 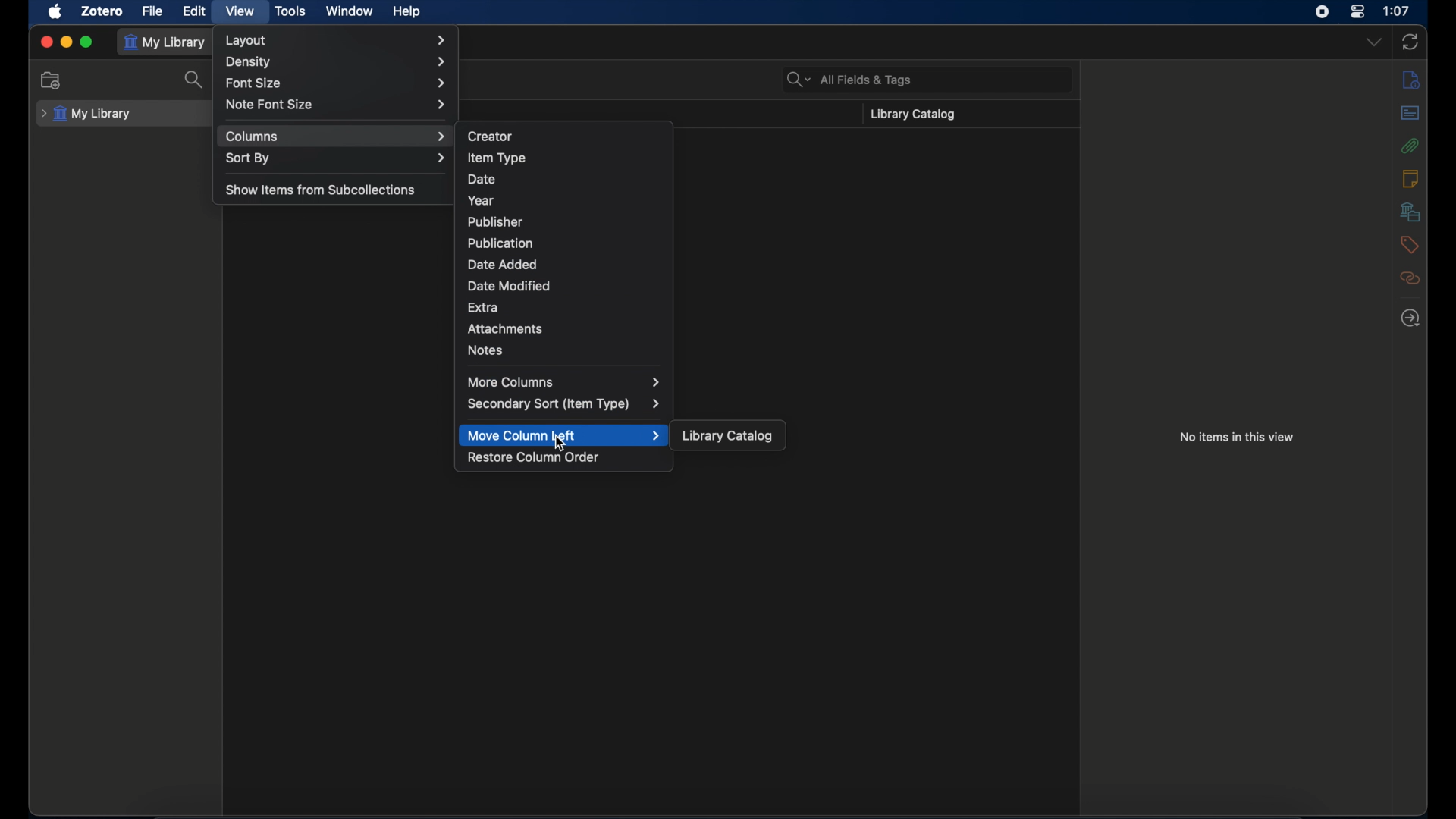 What do you see at coordinates (485, 350) in the screenshot?
I see `notes` at bounding box center [485, 350].